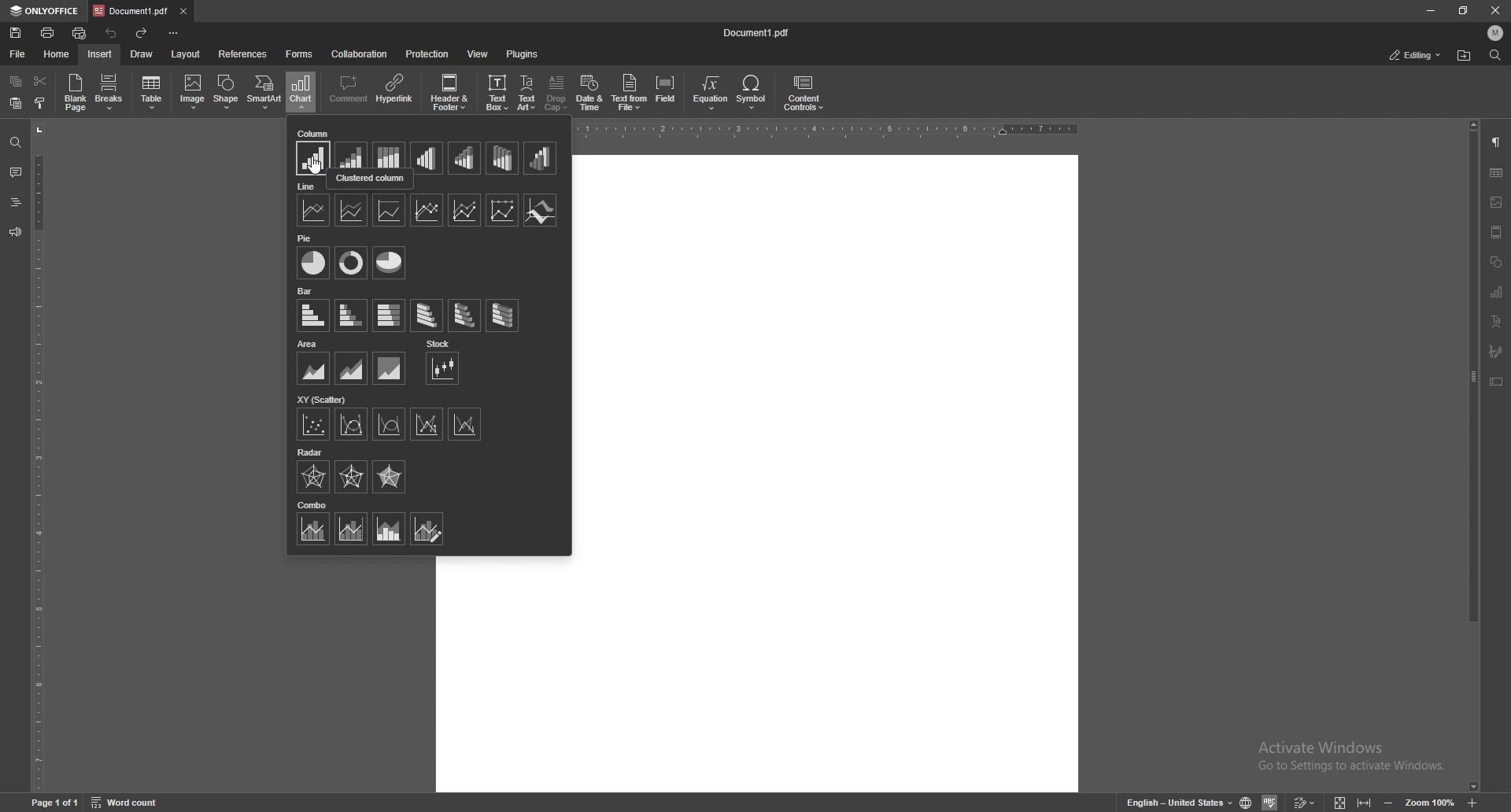 The width and height of the screenshot is (1511, 812). Describe the element at coordinates (541, 158) in the screenshot. I see `3-D column` at that location.